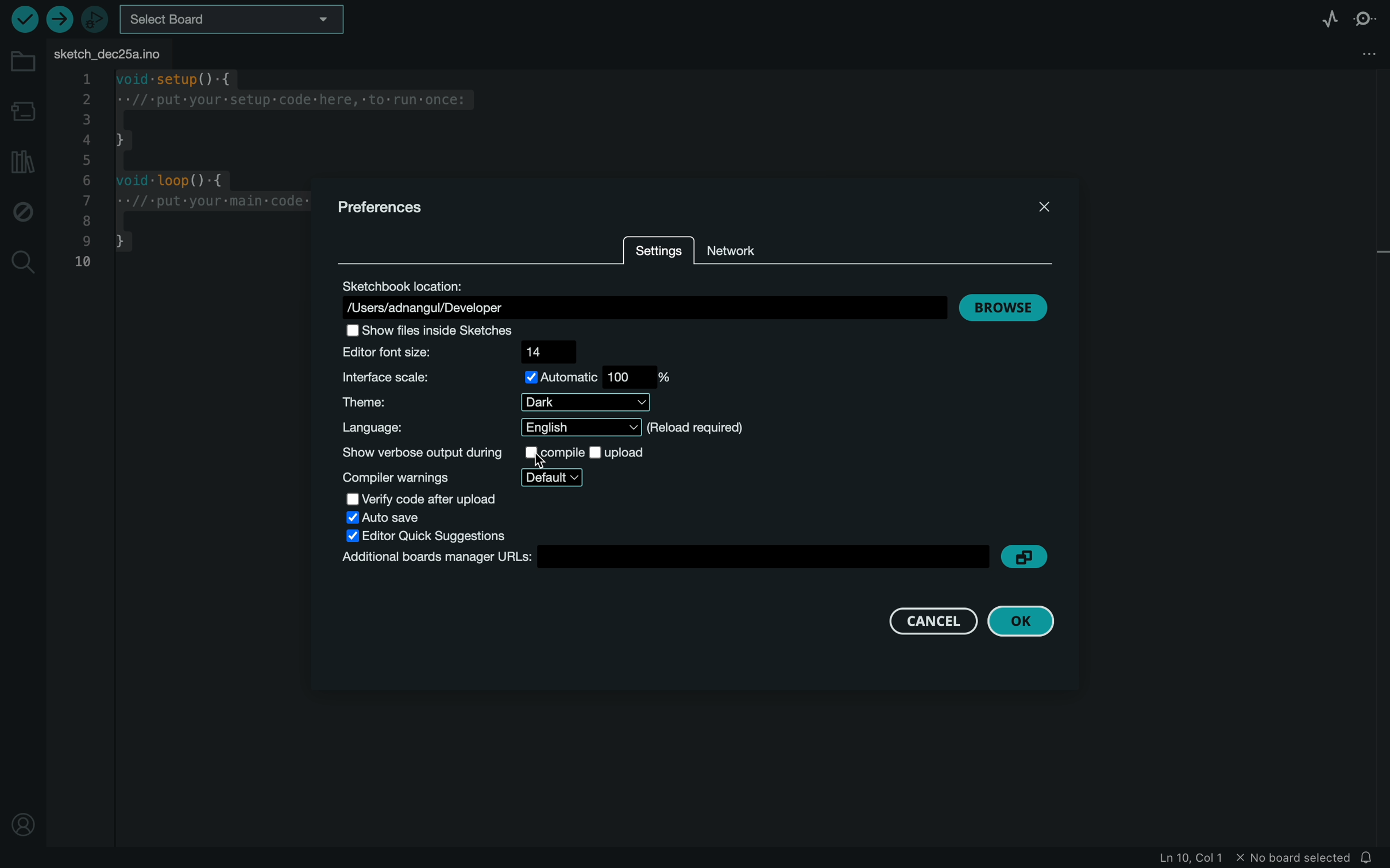  What do you see at coordinates (658, 251) in the screenshot?
I see `settings` at bounding box center [658, 251].